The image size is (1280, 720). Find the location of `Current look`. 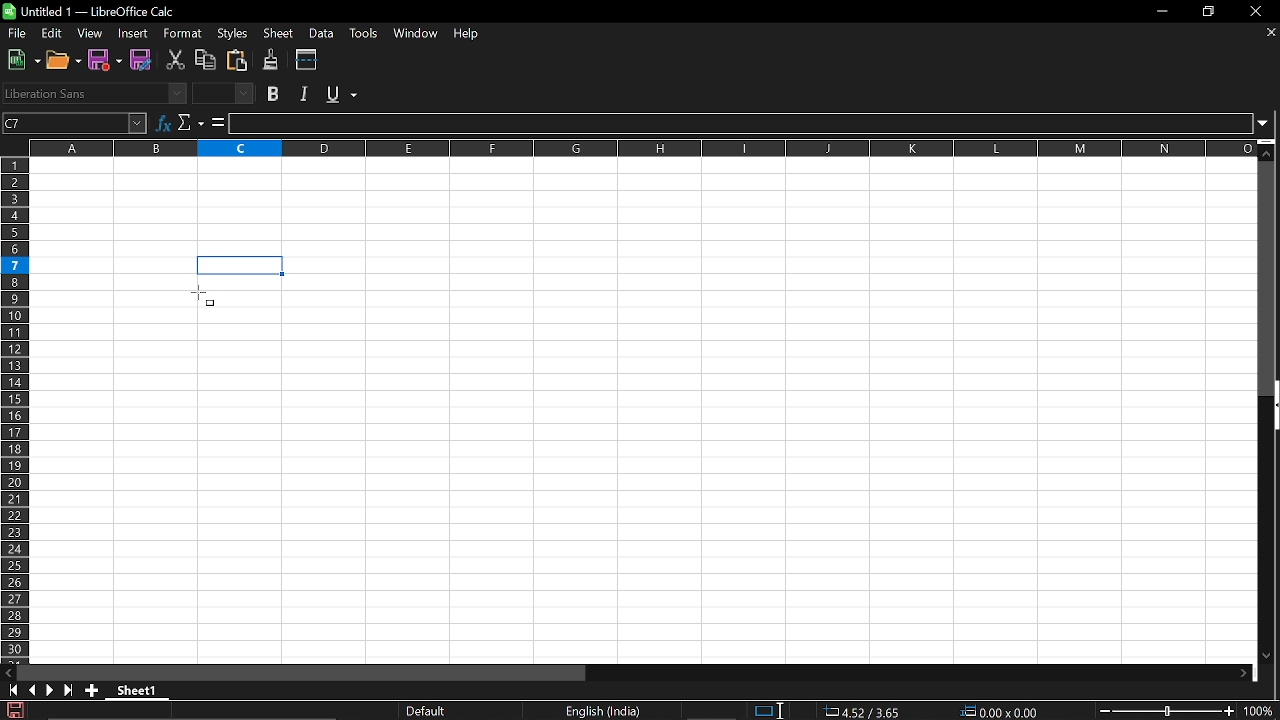

Current look is located at coordinates (428, 711).